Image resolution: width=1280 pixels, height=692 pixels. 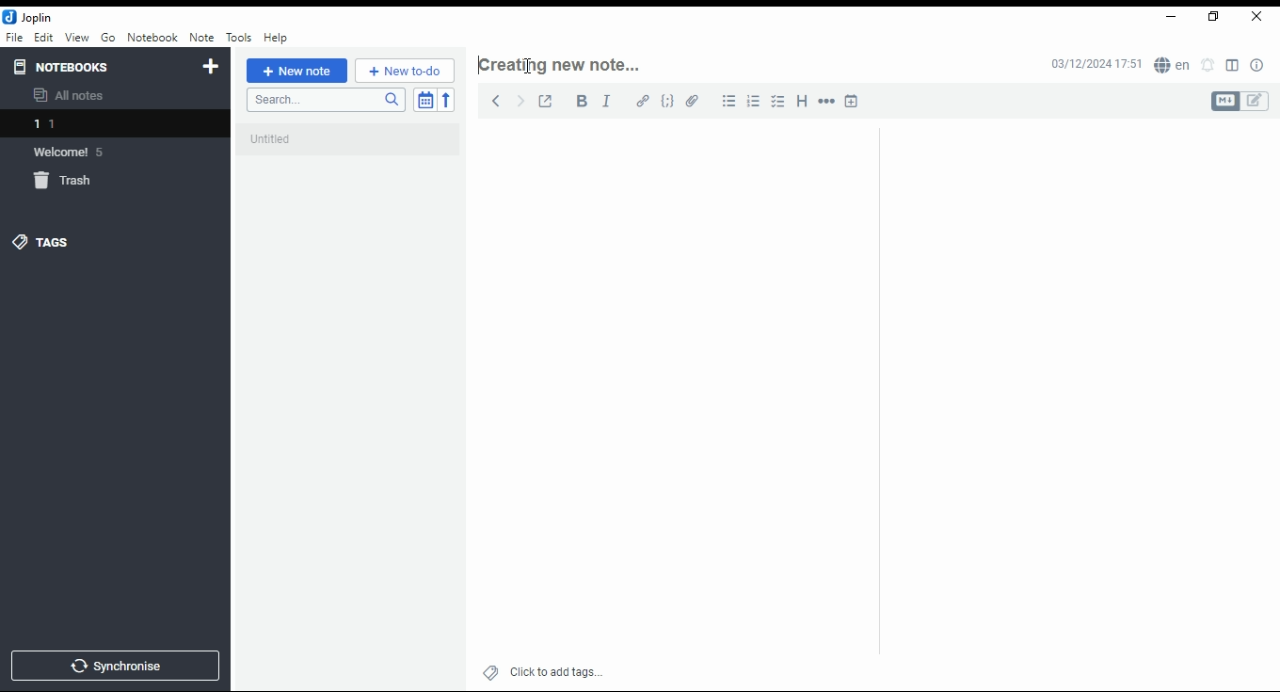 I want to click on back, so click(x=492, y=99).